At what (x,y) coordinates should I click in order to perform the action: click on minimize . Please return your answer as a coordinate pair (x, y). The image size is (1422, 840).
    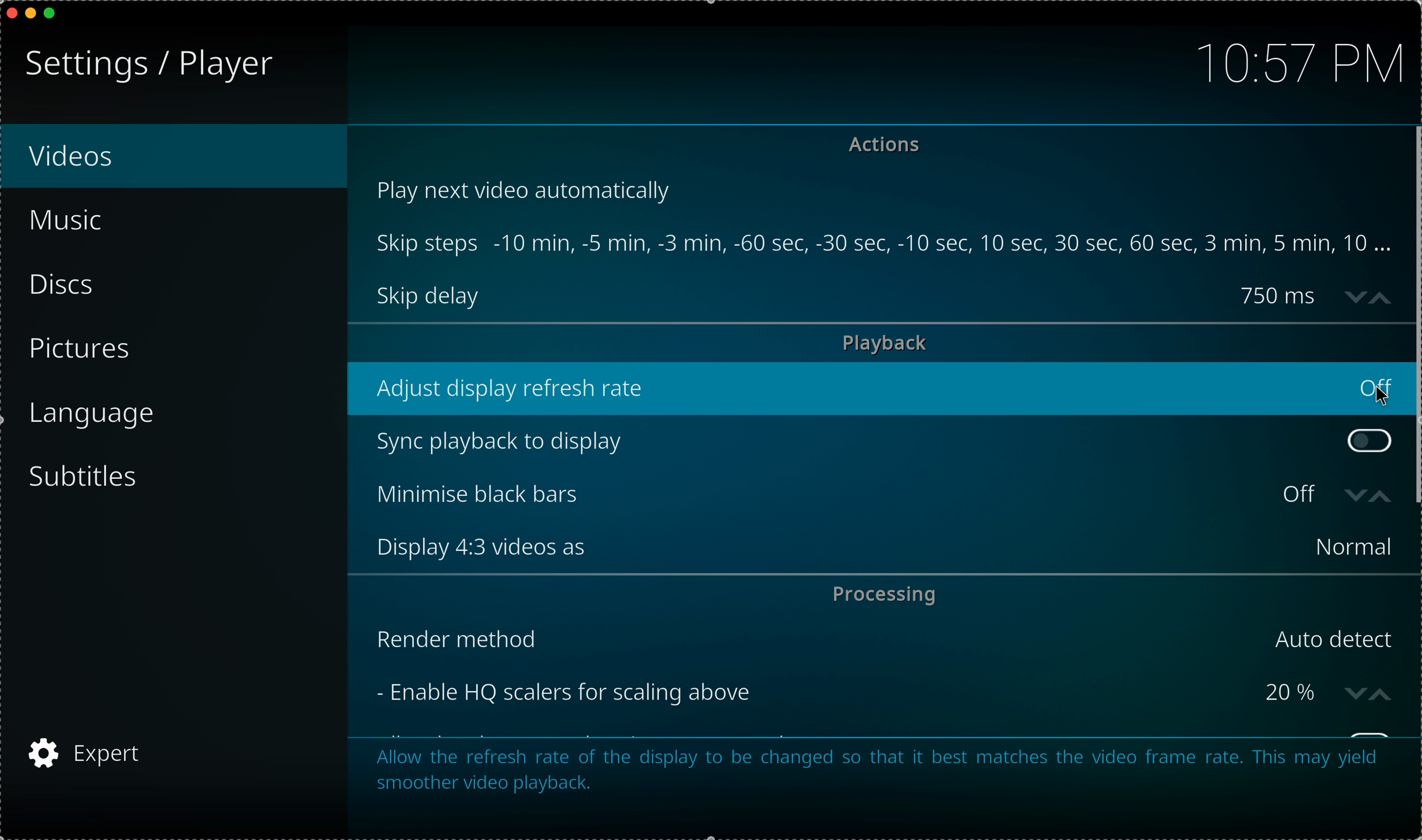
    Looking at the image, I should click on (31, 16).